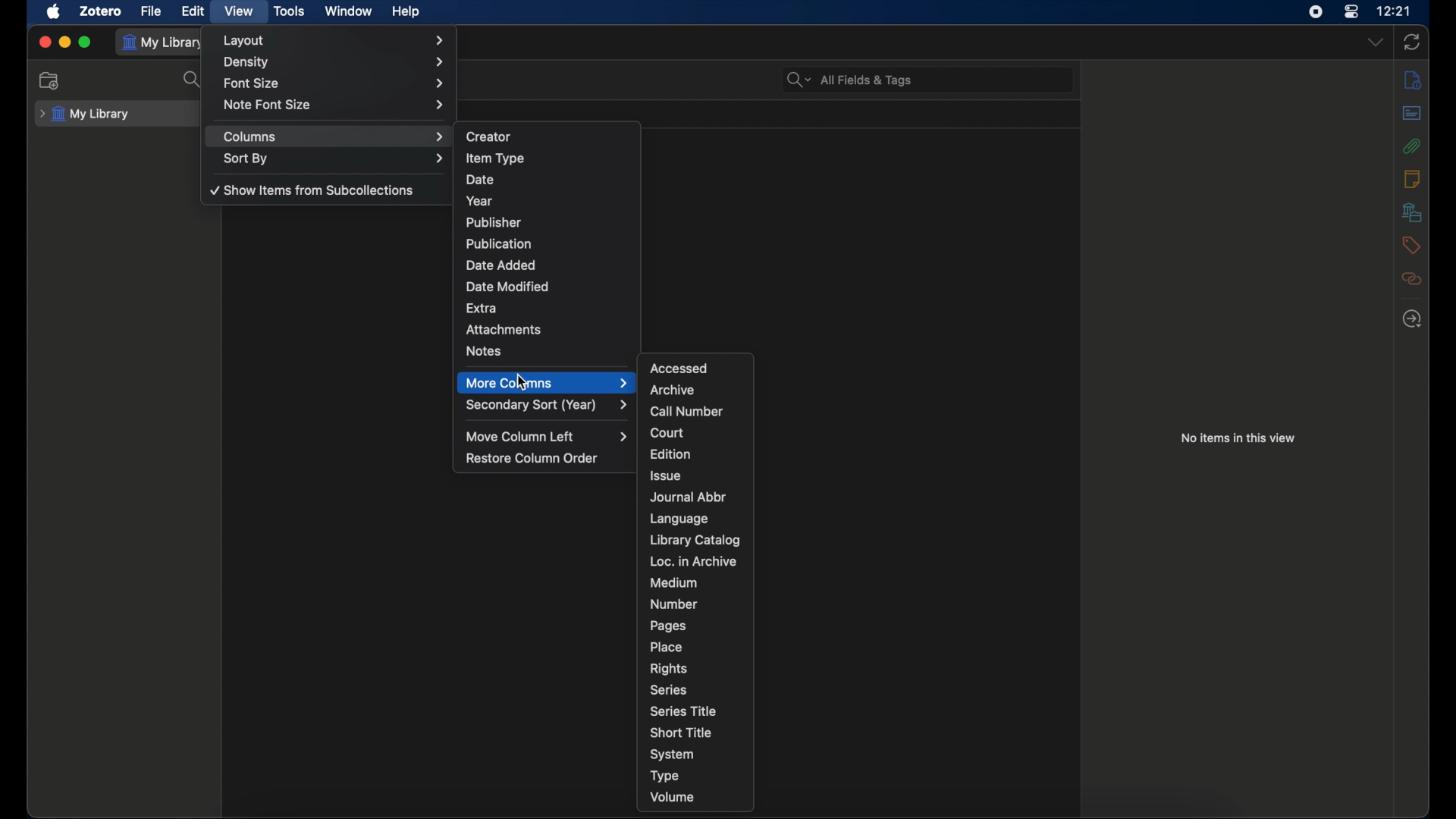 This screenshot has height=819, width=1456. What do you see at coordinates (547, 382) in the screenshot?
I see `more columns` at bounding box center [547, 382].